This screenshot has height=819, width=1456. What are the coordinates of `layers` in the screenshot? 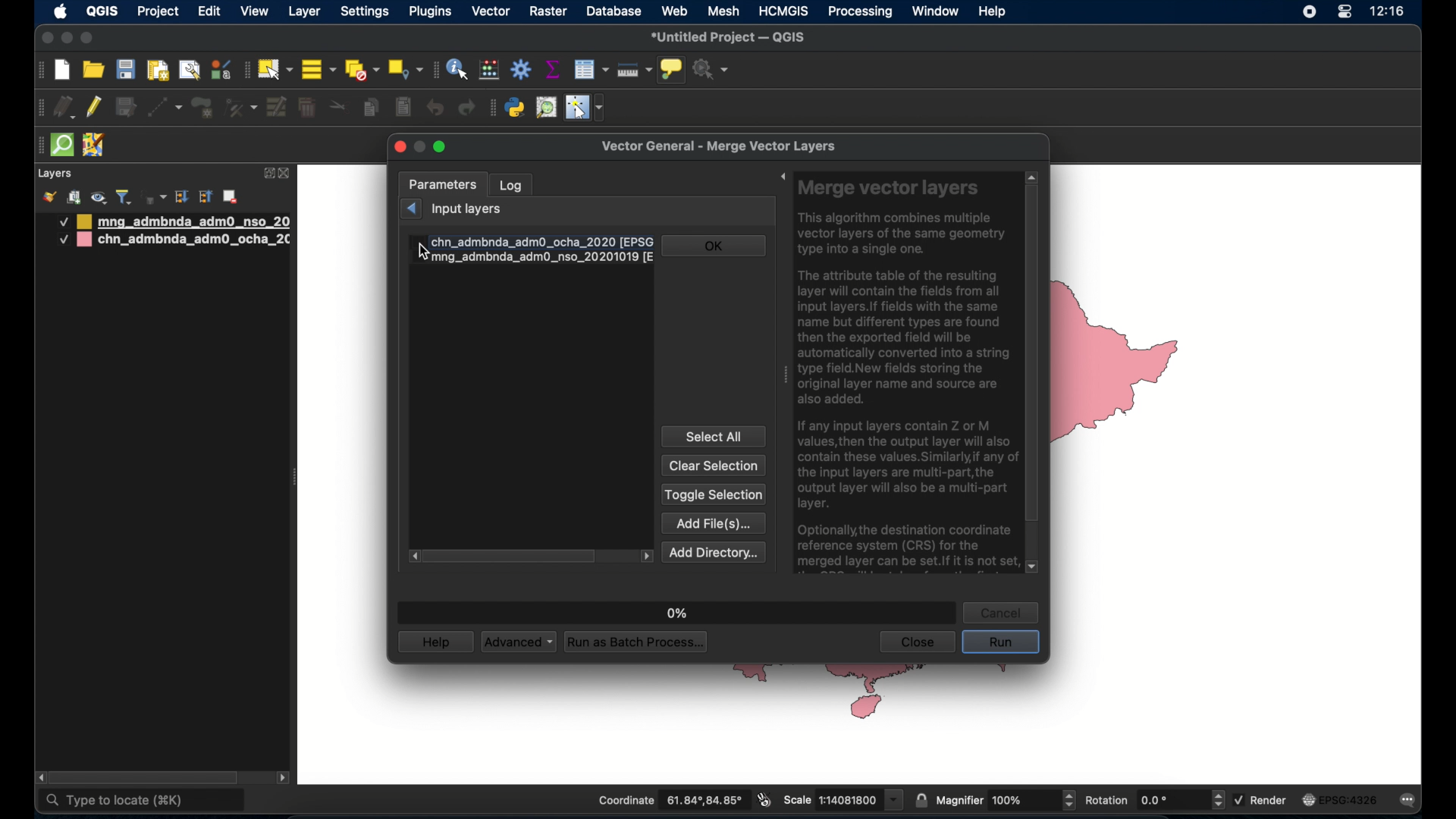 It's located at (55, 174).